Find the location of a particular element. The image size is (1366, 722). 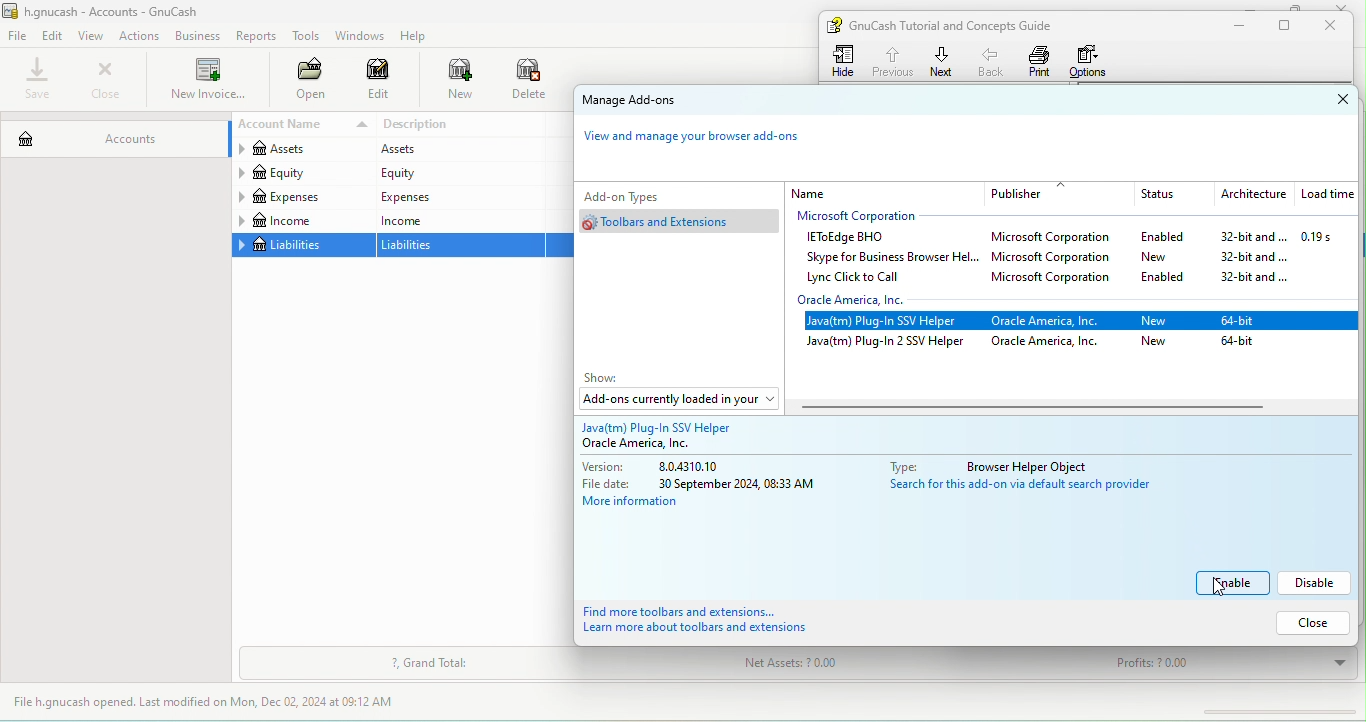

options is located at coordinates (1093, 61).